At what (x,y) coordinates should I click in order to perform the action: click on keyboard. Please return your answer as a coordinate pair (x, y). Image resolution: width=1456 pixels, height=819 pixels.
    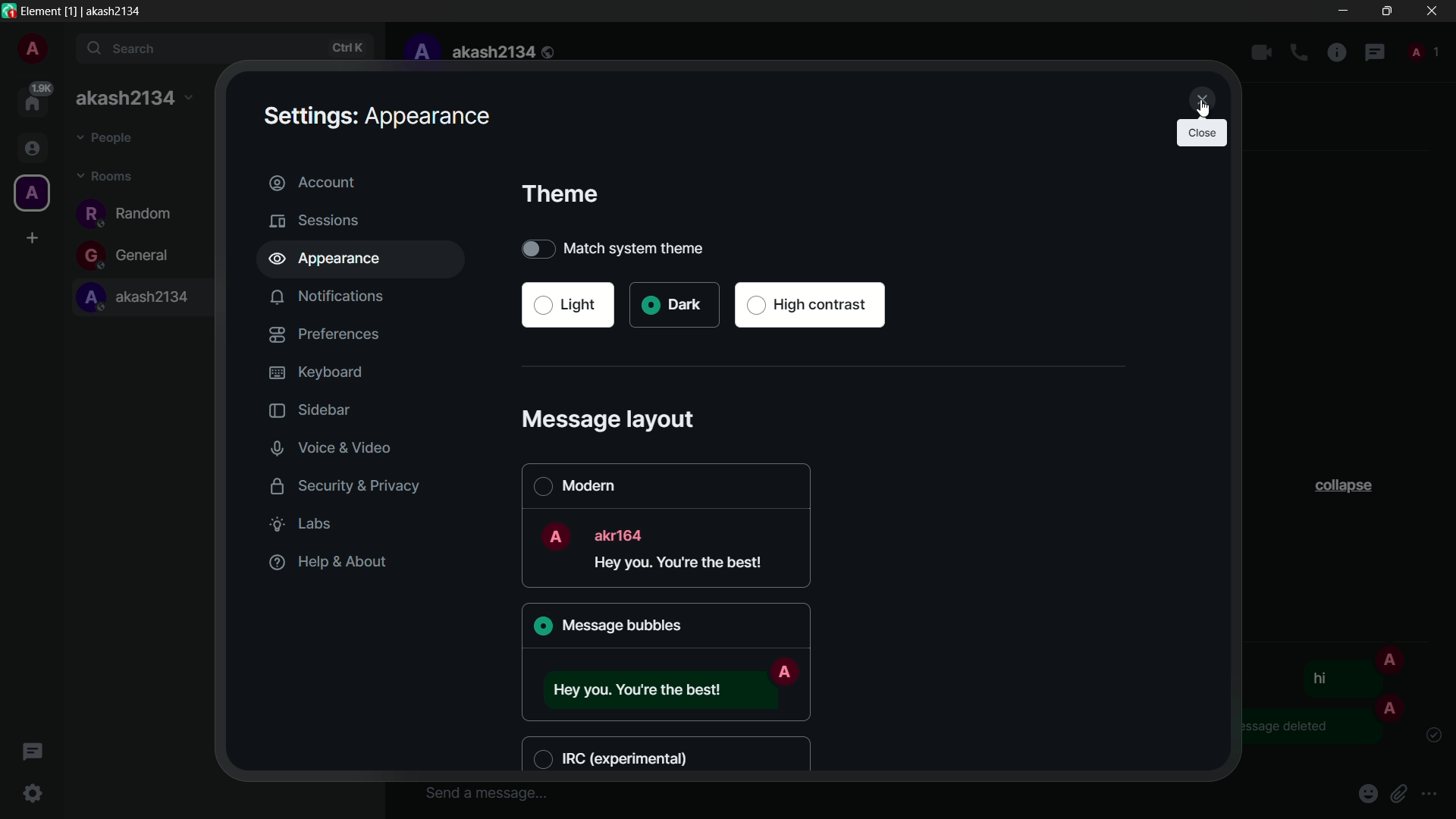
    Looking at the image, I should click on (315, 372).